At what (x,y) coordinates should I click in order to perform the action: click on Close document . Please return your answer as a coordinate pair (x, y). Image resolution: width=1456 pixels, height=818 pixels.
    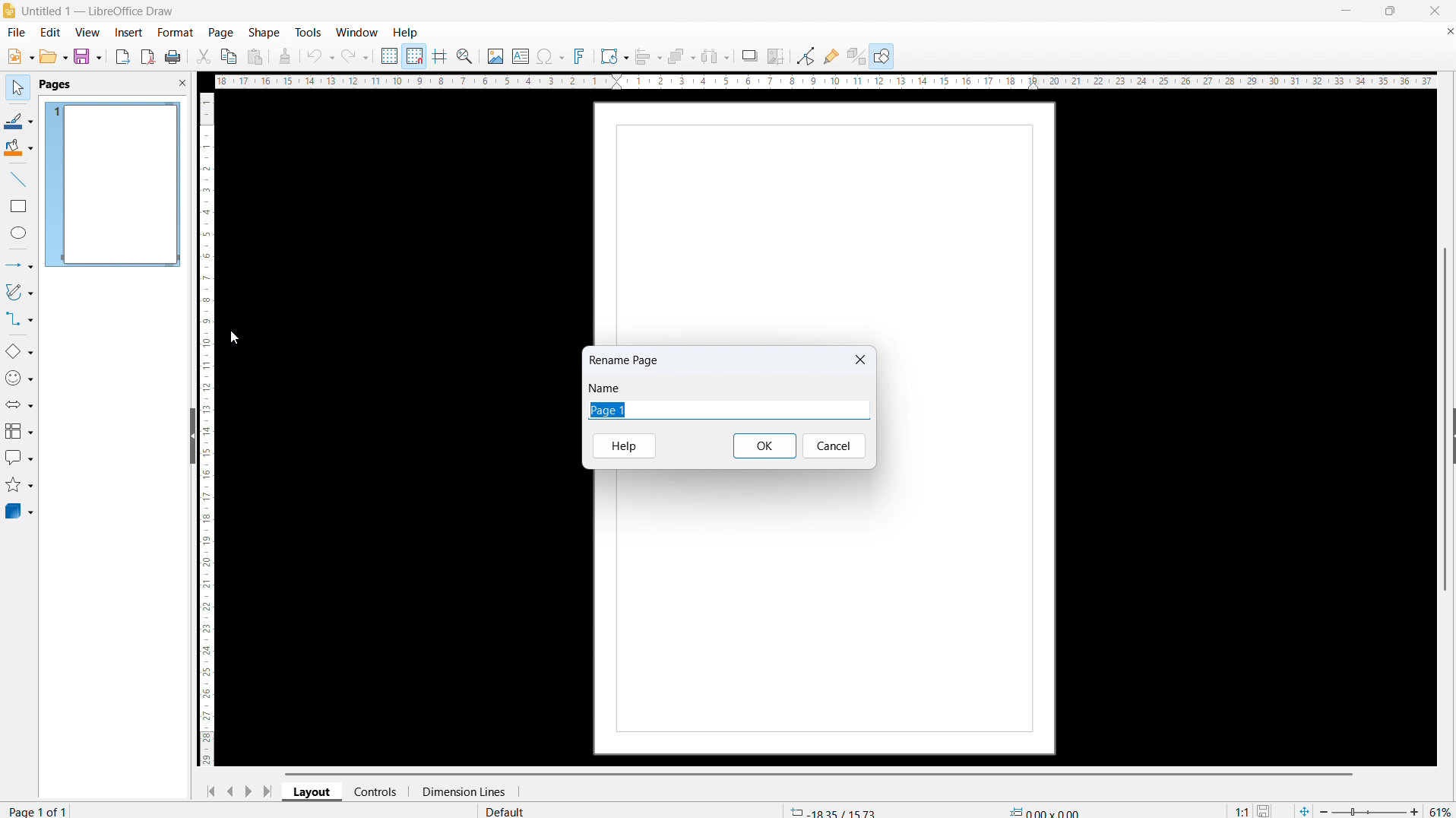
    Looking at the image, I should click on (1447, 30).